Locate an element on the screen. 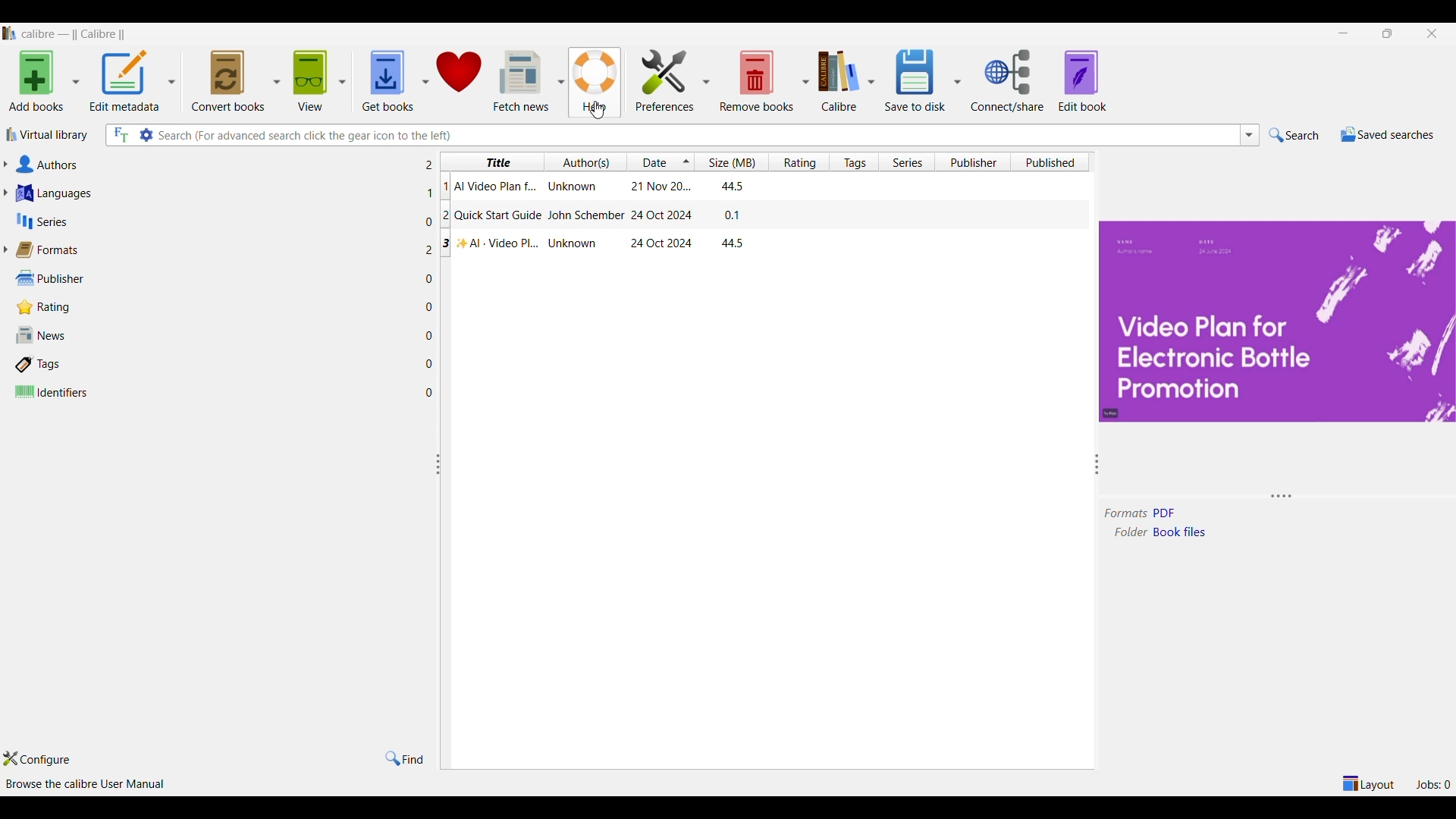 The width and height of the screenshot is (1456, 819). Fetch news options is located at coordinates (561, 80).